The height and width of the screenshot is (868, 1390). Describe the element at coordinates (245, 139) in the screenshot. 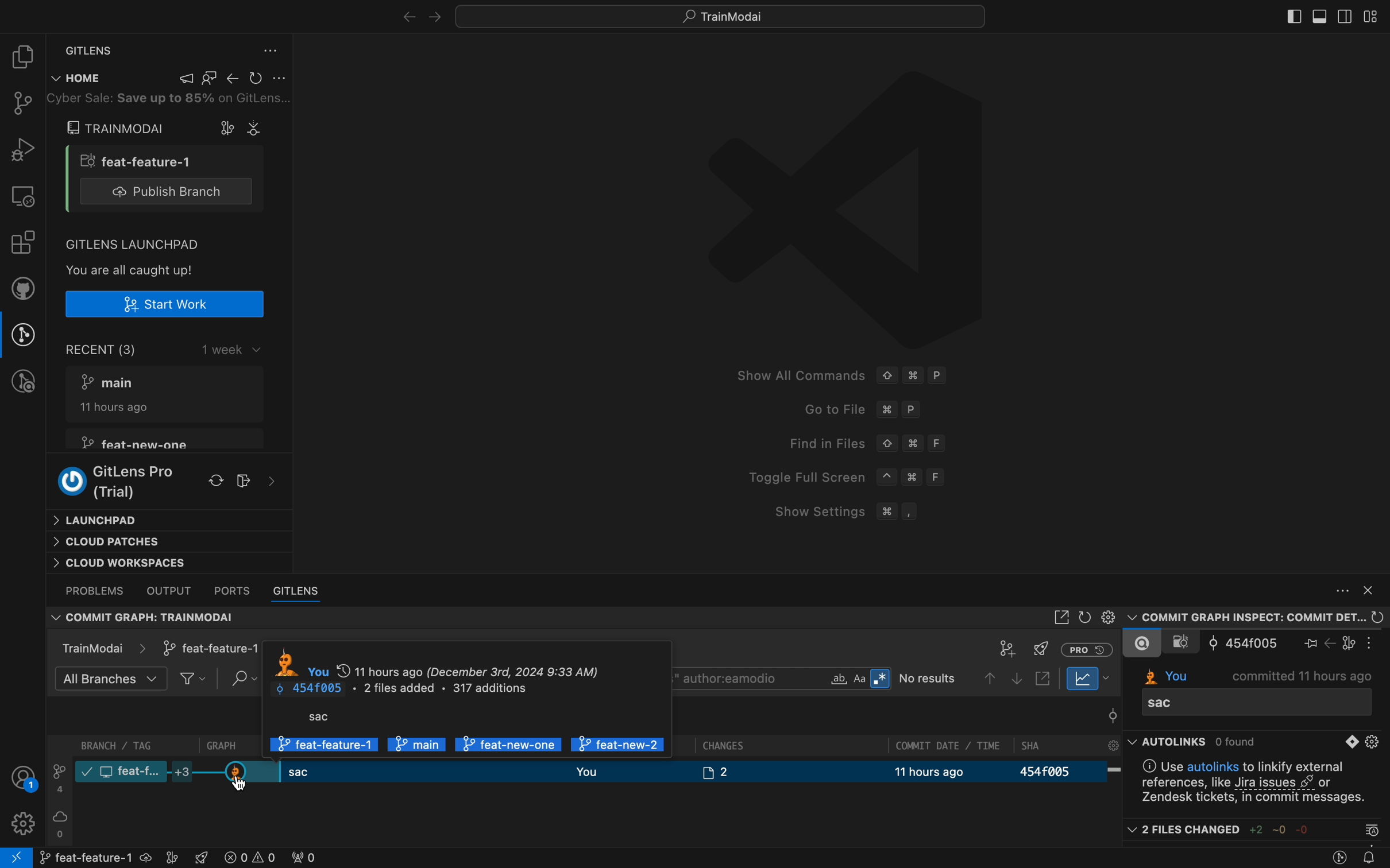

I see `Cursor` at that location.